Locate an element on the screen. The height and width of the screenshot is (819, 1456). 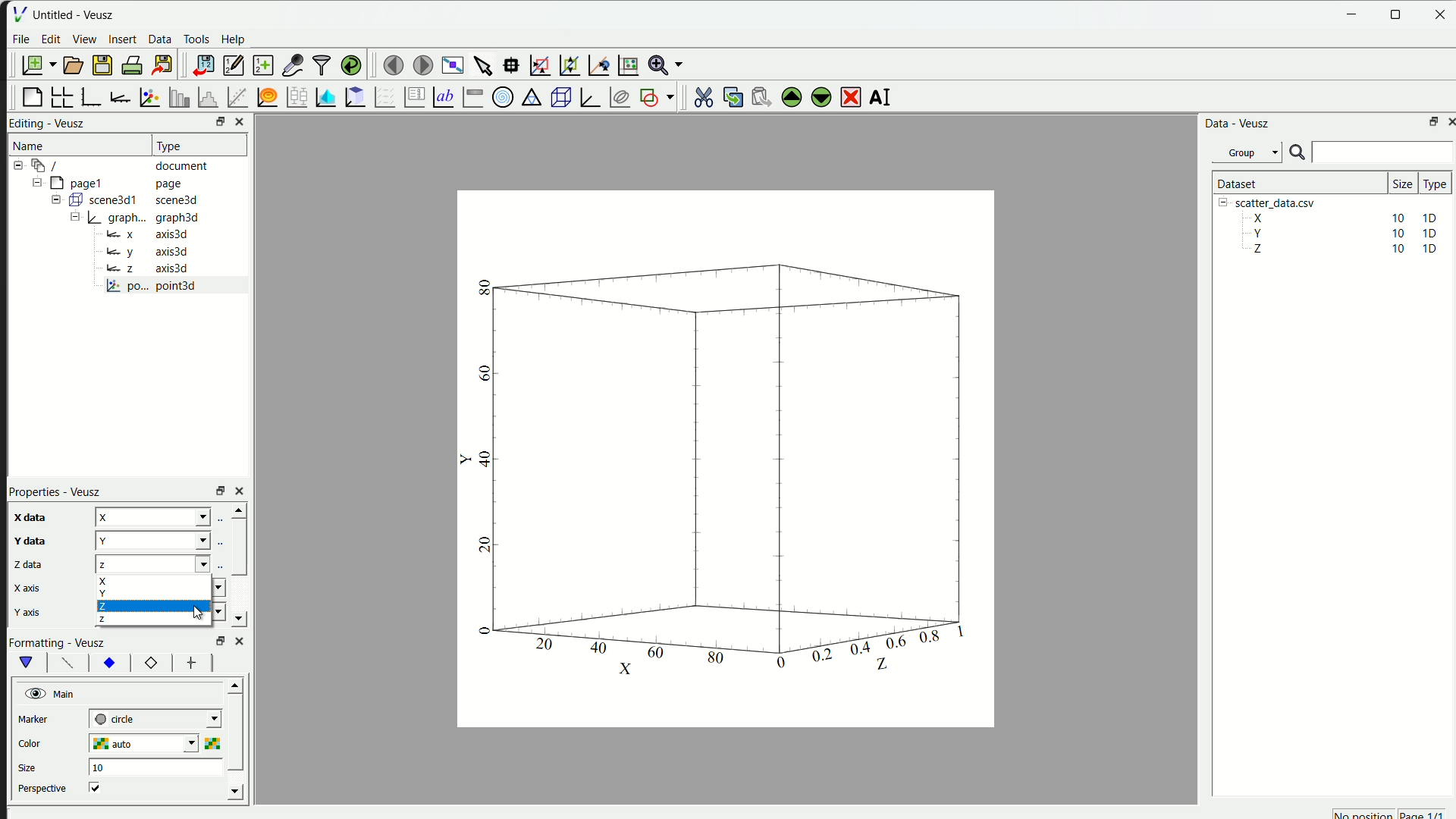
plot bar chart is located at coordinates (174, 97).